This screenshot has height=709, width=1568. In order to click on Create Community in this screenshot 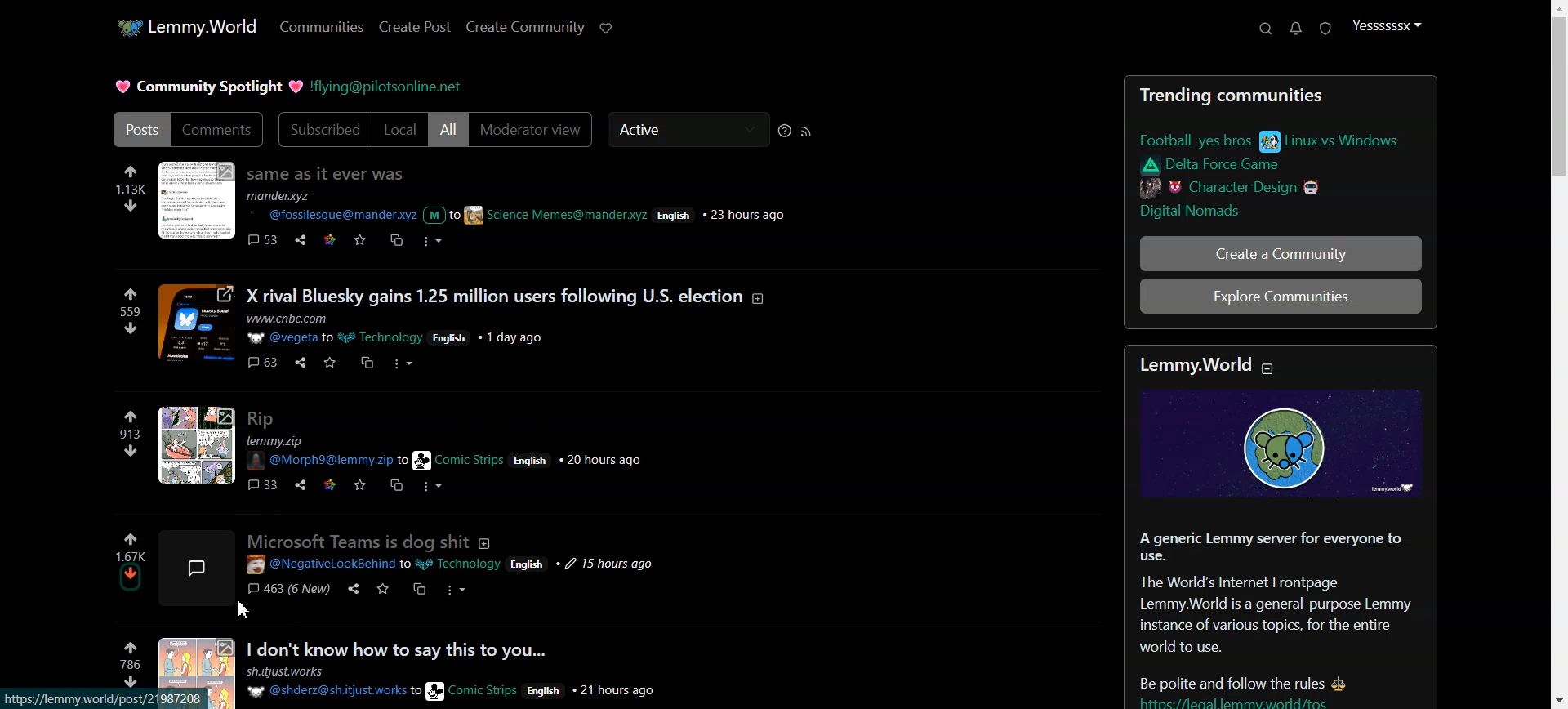, I will do `click(526, 27)`.